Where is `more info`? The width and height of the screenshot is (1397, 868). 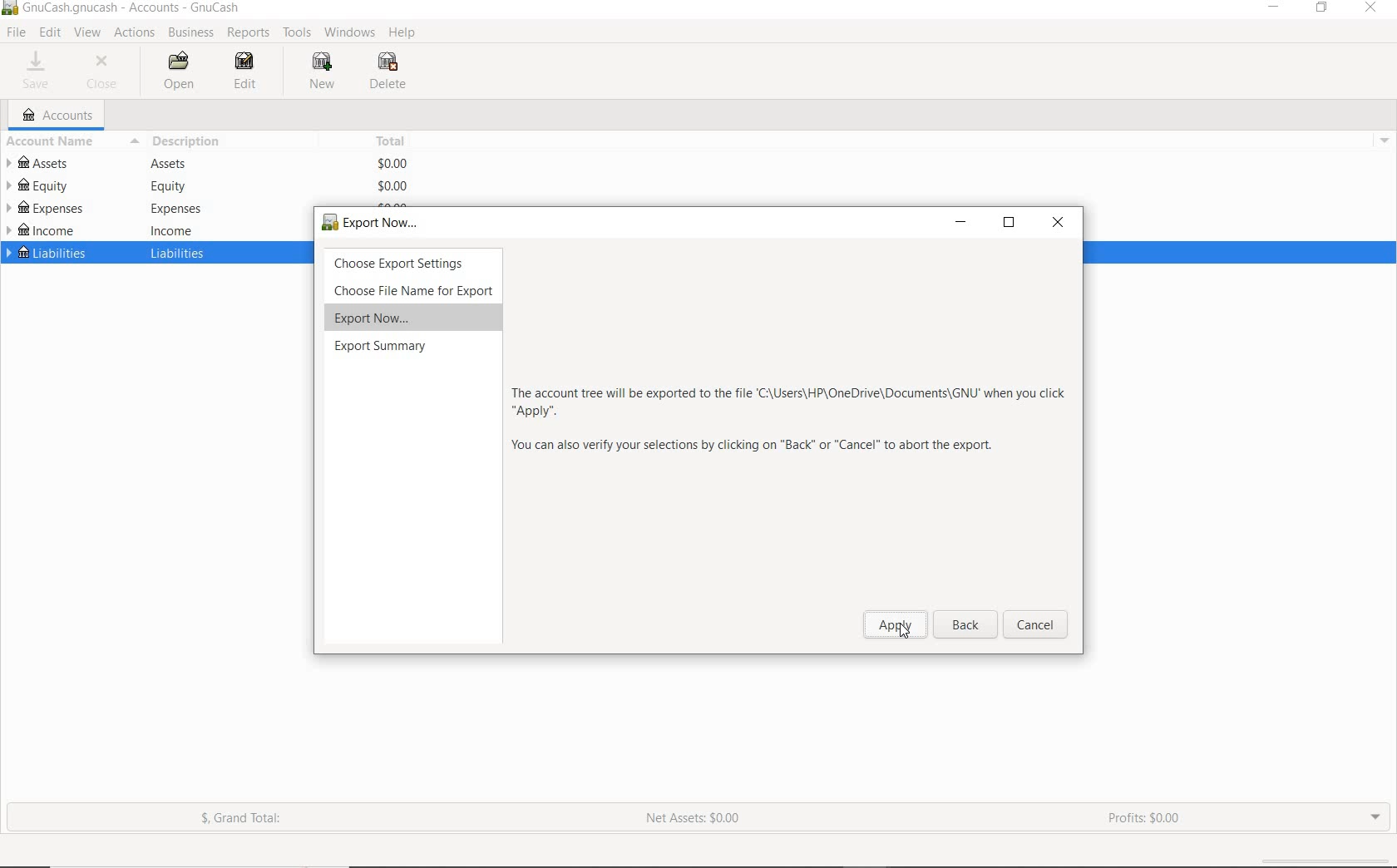 more info is located at coordinates (791, 436).